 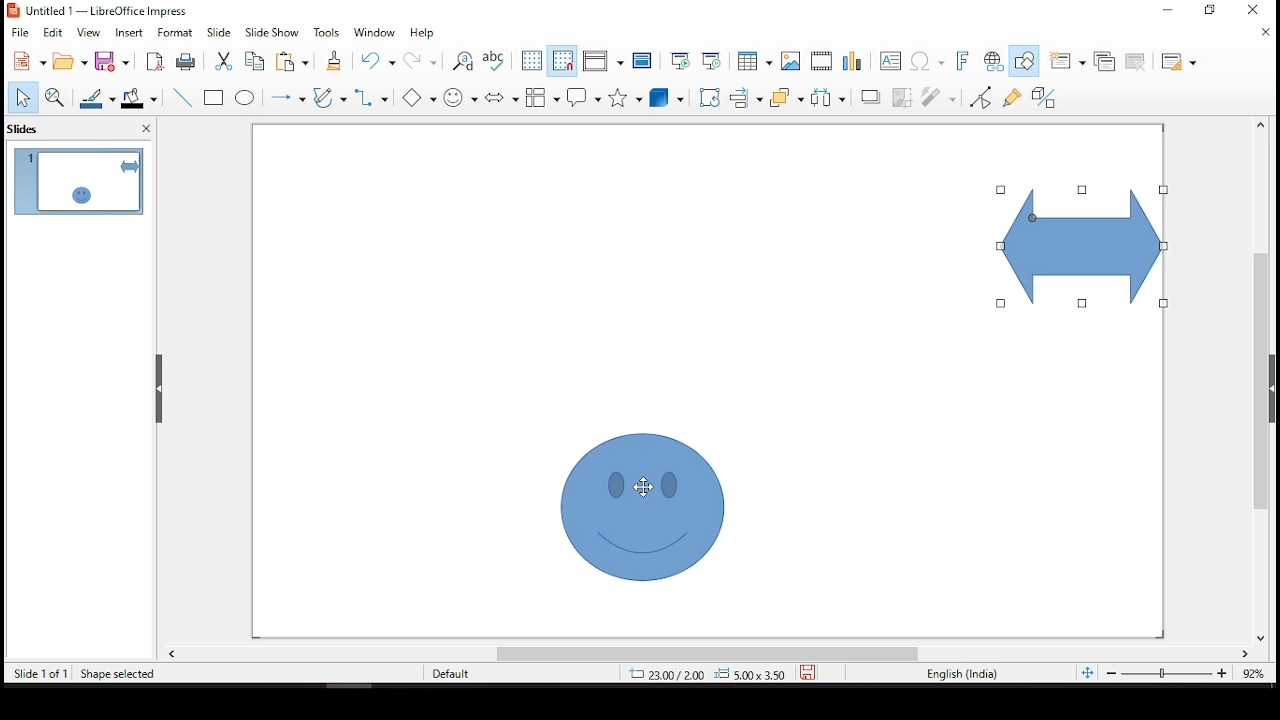 What do you see at coordinates (749, 672) in the screenshot?
I see `0.00x0.00` at bounding box center [749, 672].